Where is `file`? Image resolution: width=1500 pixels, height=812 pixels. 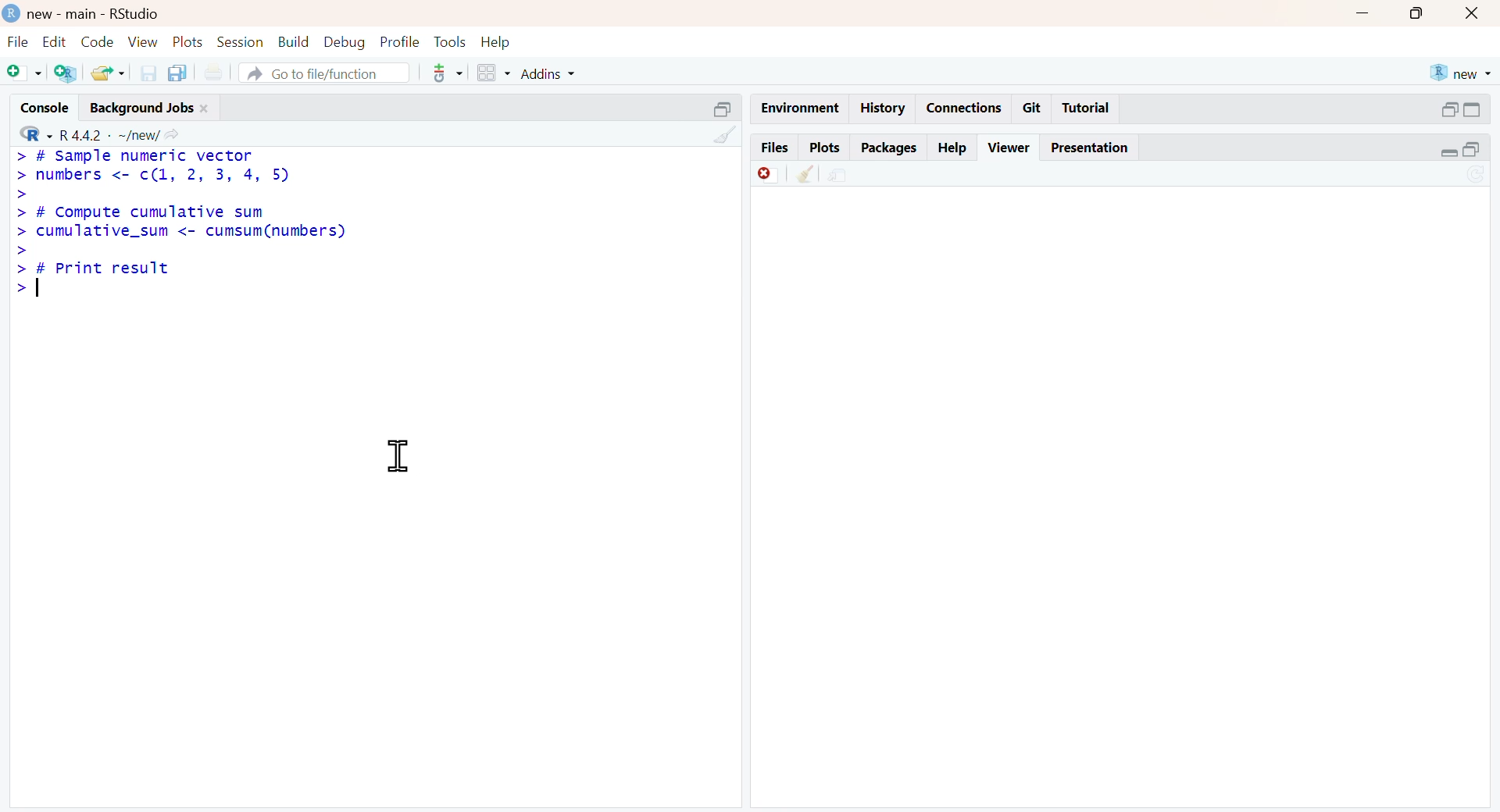
file is located at coordinates (20, 41).